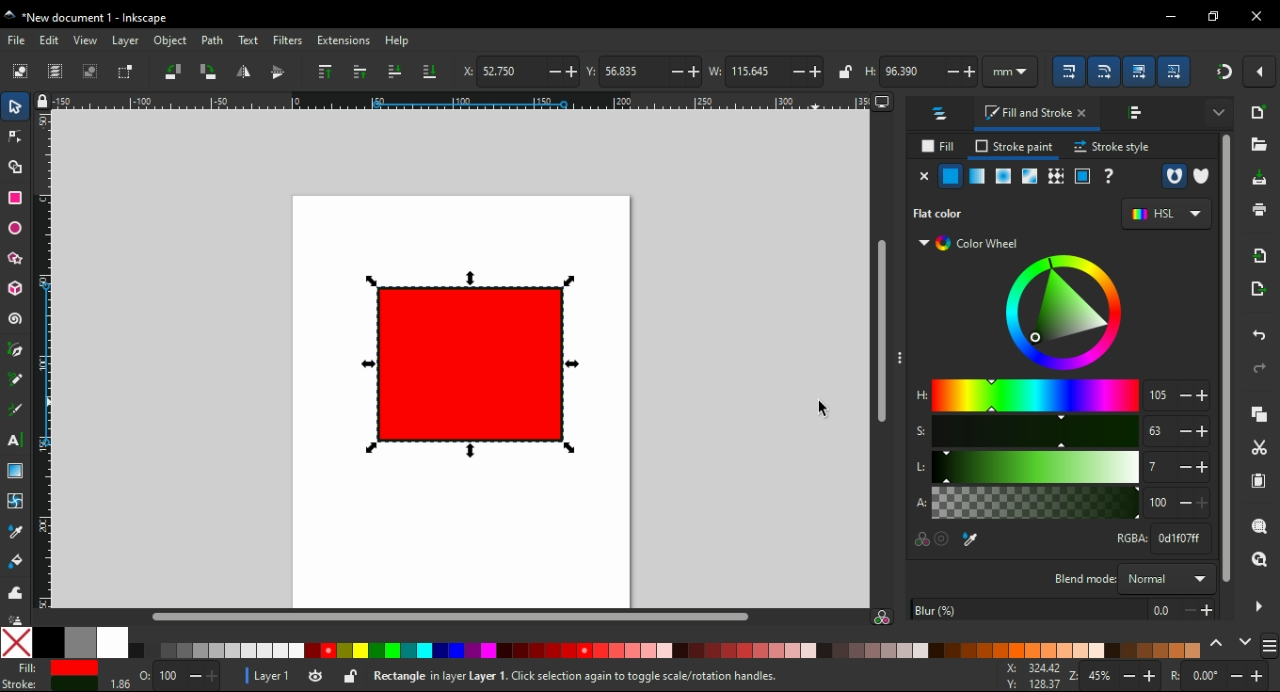 The width and height of the screenshot is (1280, 692). I want to click on scaling options, so click(1174, 71).